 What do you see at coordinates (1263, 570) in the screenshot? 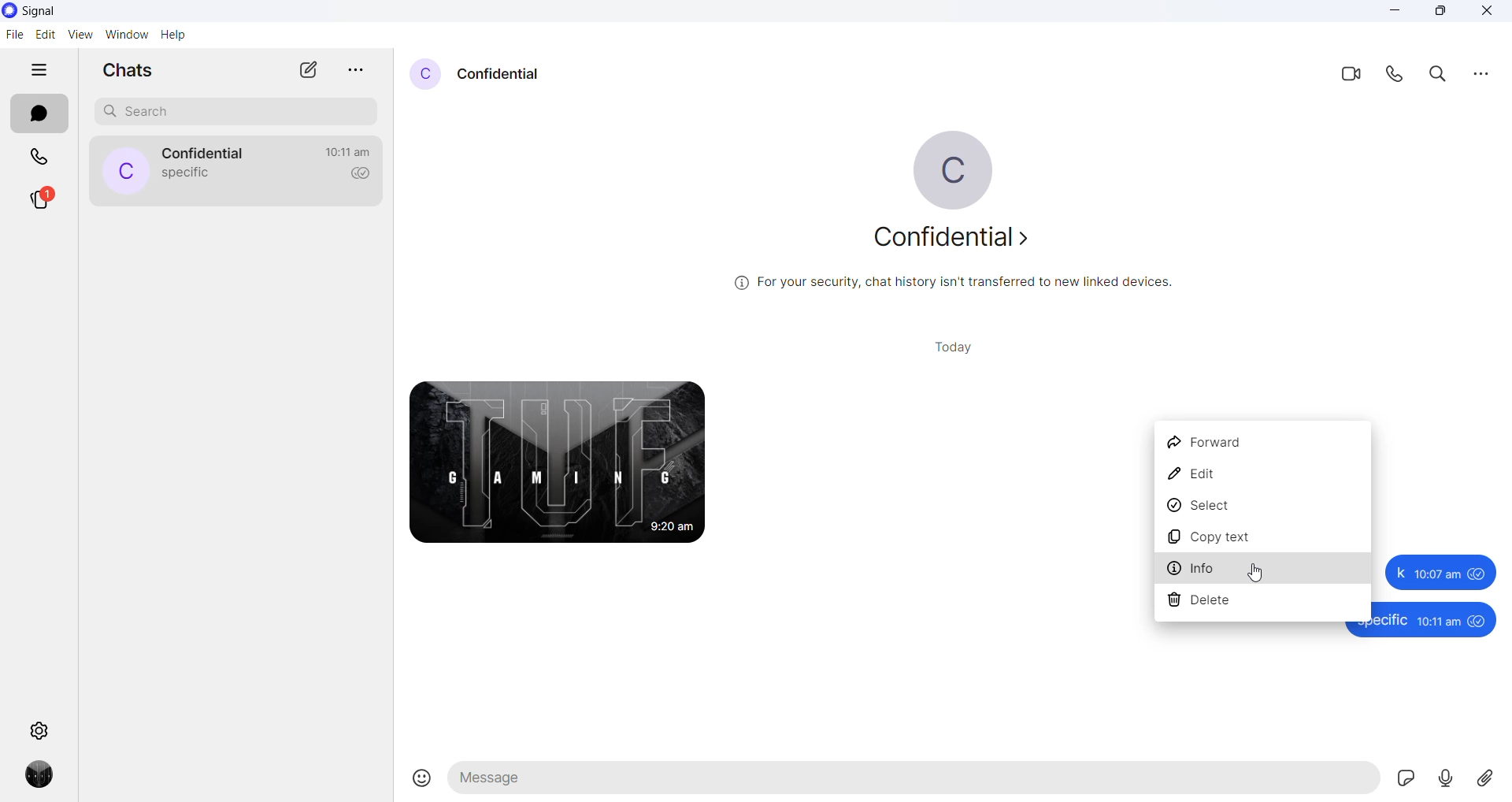
I see `info` at bounding box center [1263, 570].